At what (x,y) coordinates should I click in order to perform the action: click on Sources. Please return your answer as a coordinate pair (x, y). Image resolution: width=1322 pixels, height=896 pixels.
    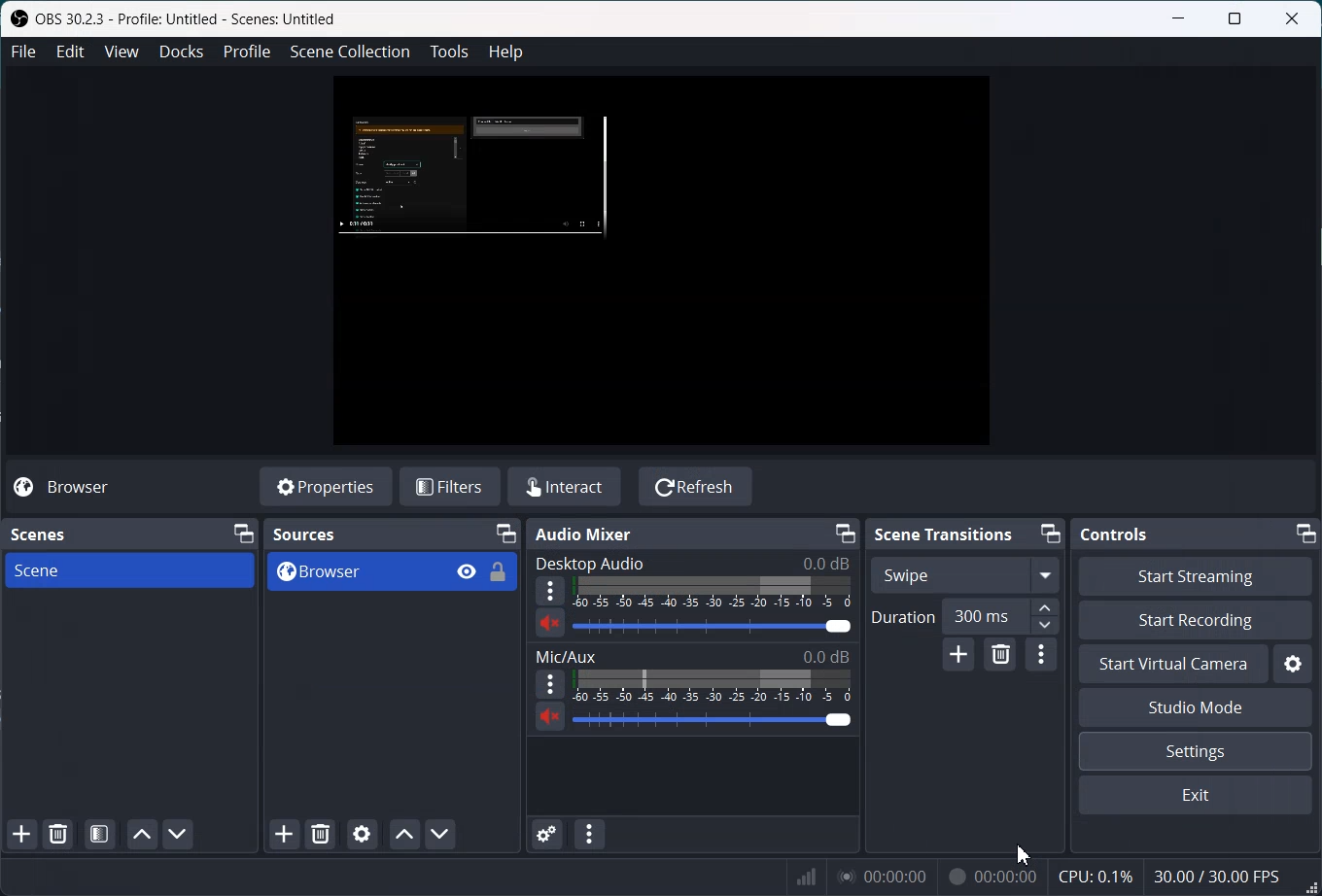
    Looking at the image, I should click on (306, 534).